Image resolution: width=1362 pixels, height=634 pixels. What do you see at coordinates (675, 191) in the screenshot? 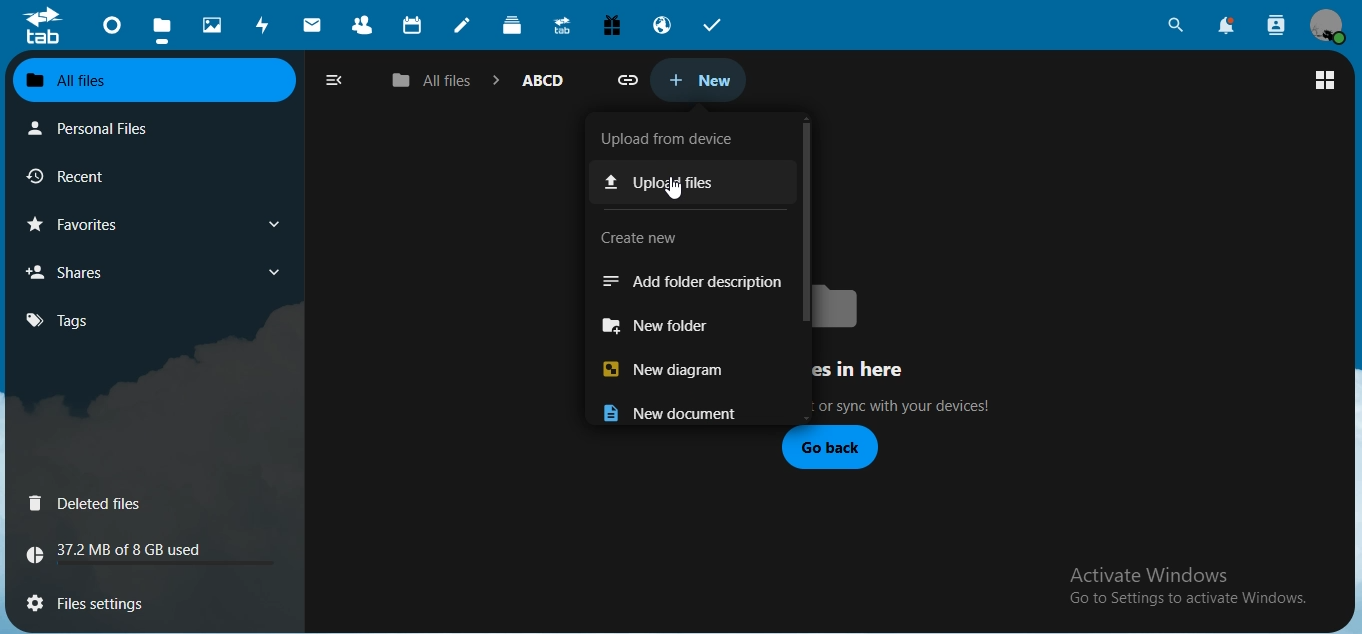
I see `cursor` at bounding box center [675, 191].